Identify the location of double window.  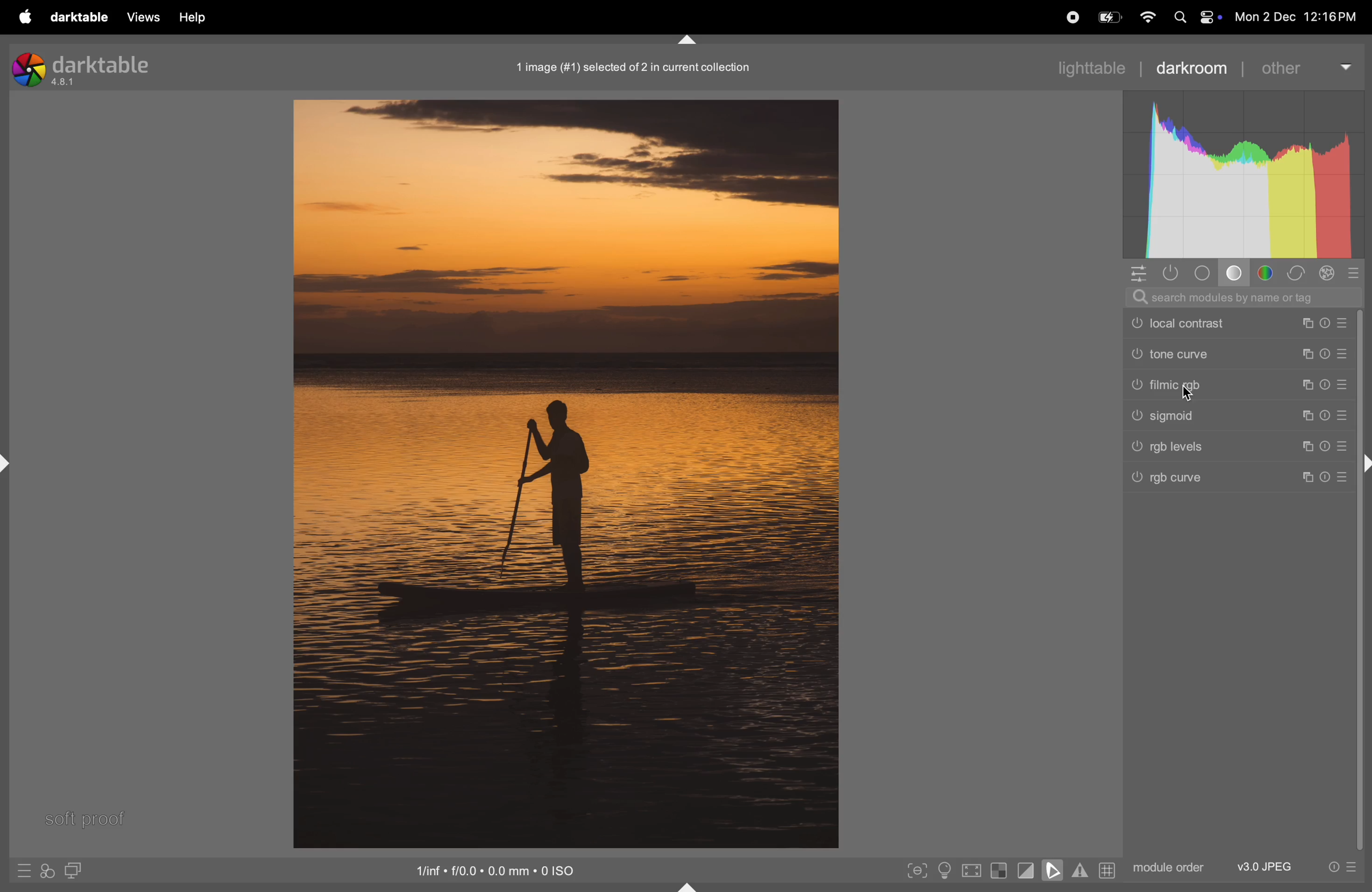
(71, 872).